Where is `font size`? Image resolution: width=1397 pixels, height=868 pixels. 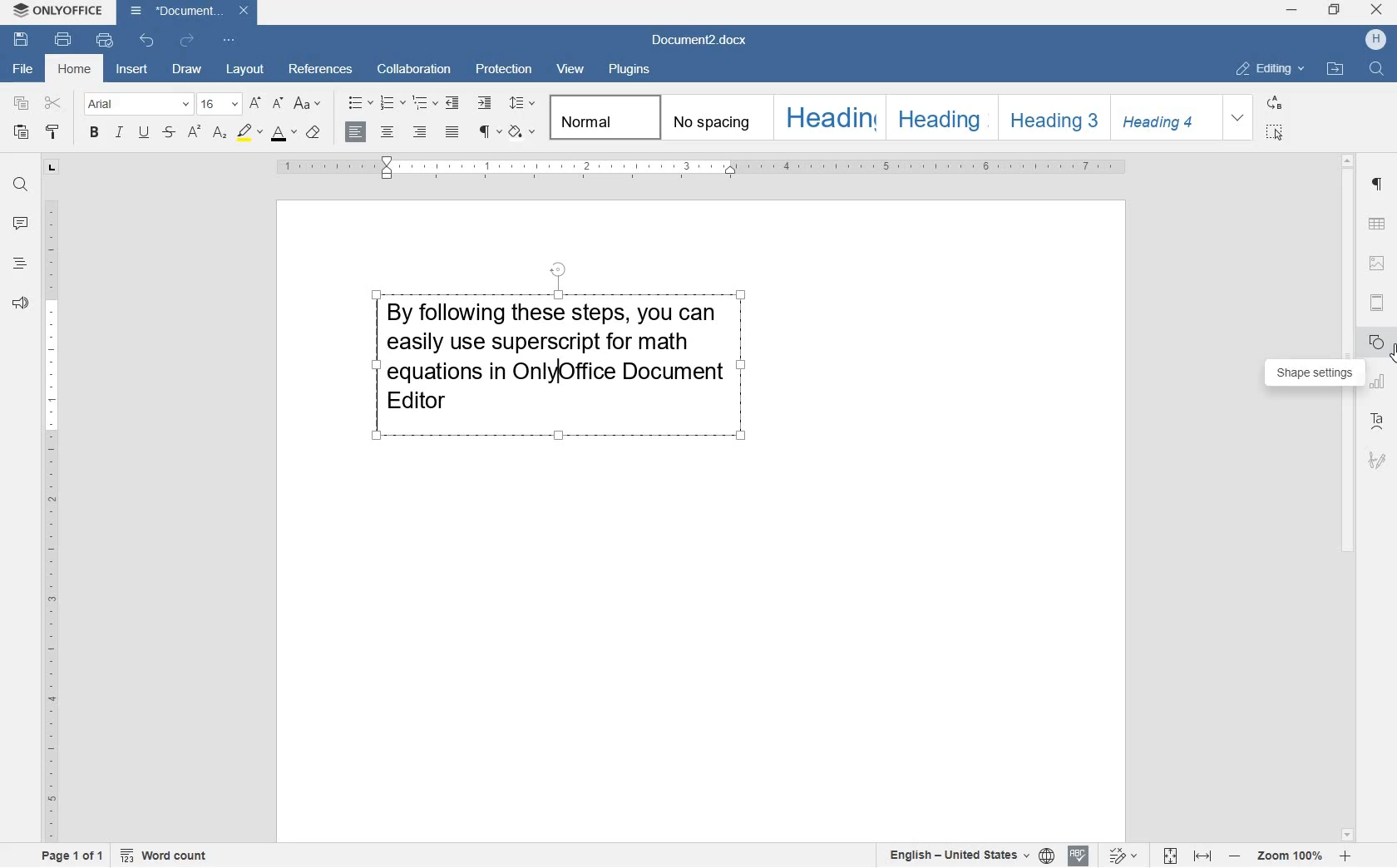
font size is located at coordinates (218, 104).